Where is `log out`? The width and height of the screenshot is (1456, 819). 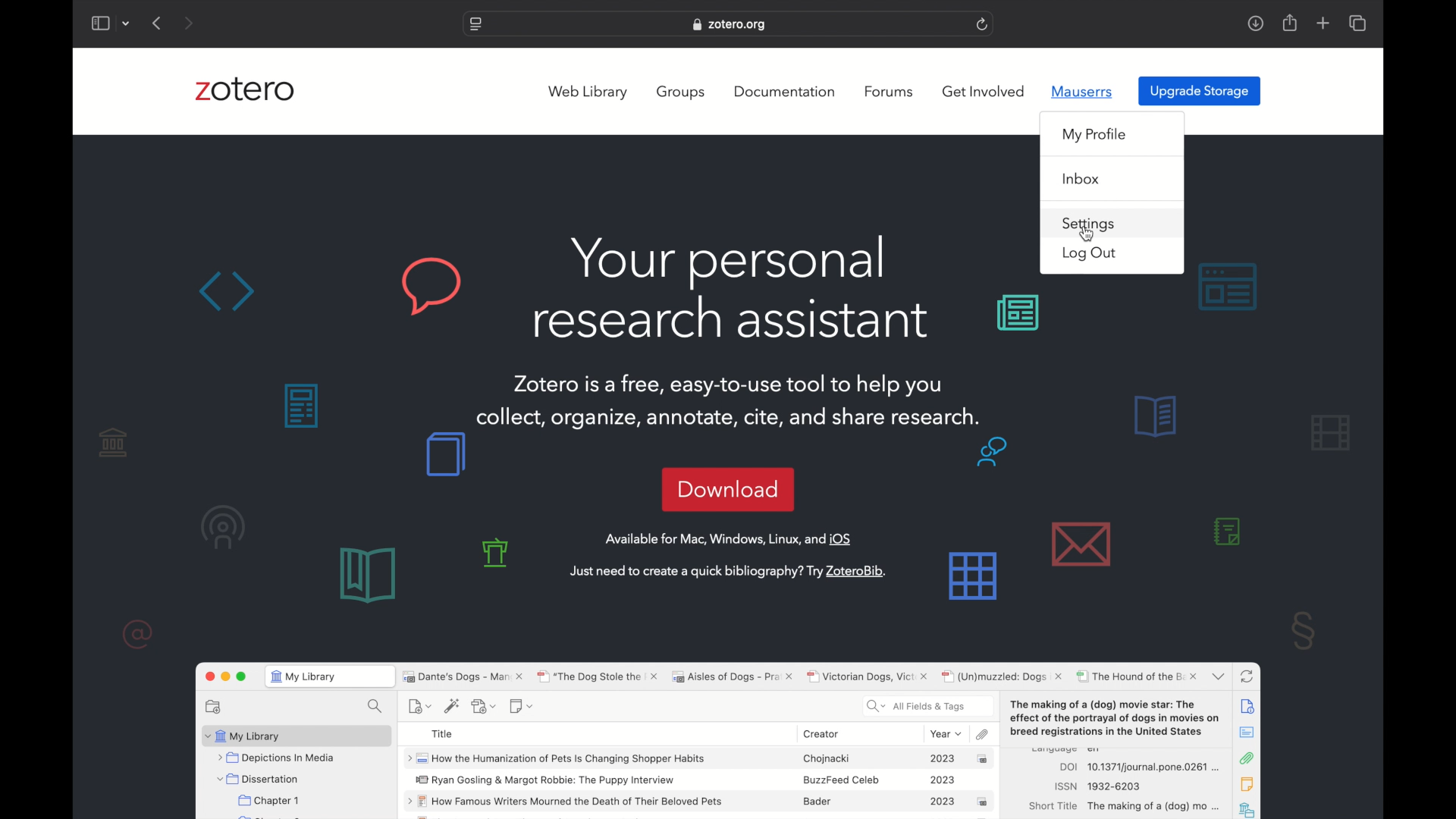
log out is located at coordinates (1090, 253).